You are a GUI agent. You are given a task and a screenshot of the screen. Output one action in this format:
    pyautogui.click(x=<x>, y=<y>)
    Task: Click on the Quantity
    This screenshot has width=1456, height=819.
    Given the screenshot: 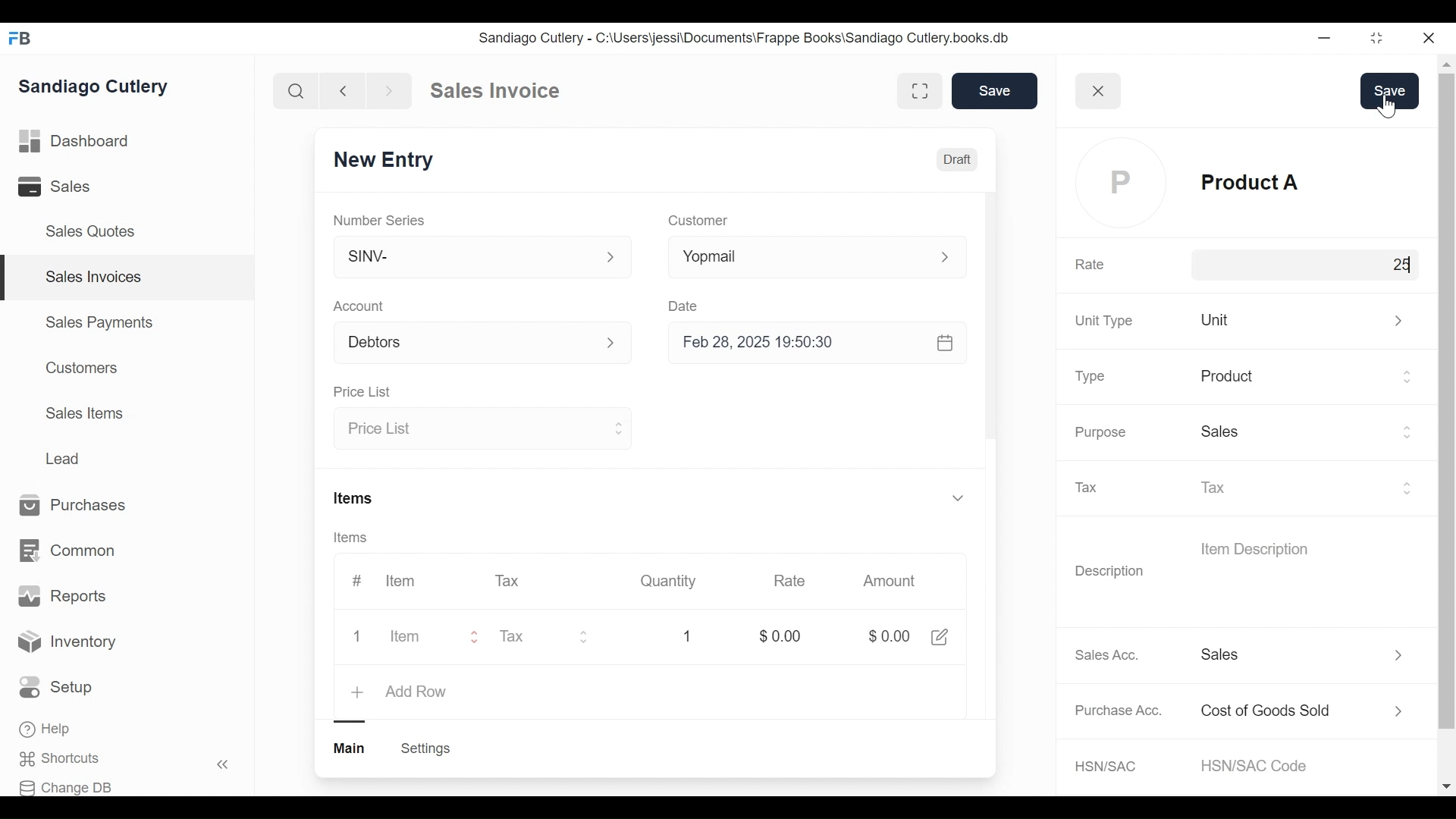 What is the action you would take?
    pyautogui.click(x=667, y=581)
    